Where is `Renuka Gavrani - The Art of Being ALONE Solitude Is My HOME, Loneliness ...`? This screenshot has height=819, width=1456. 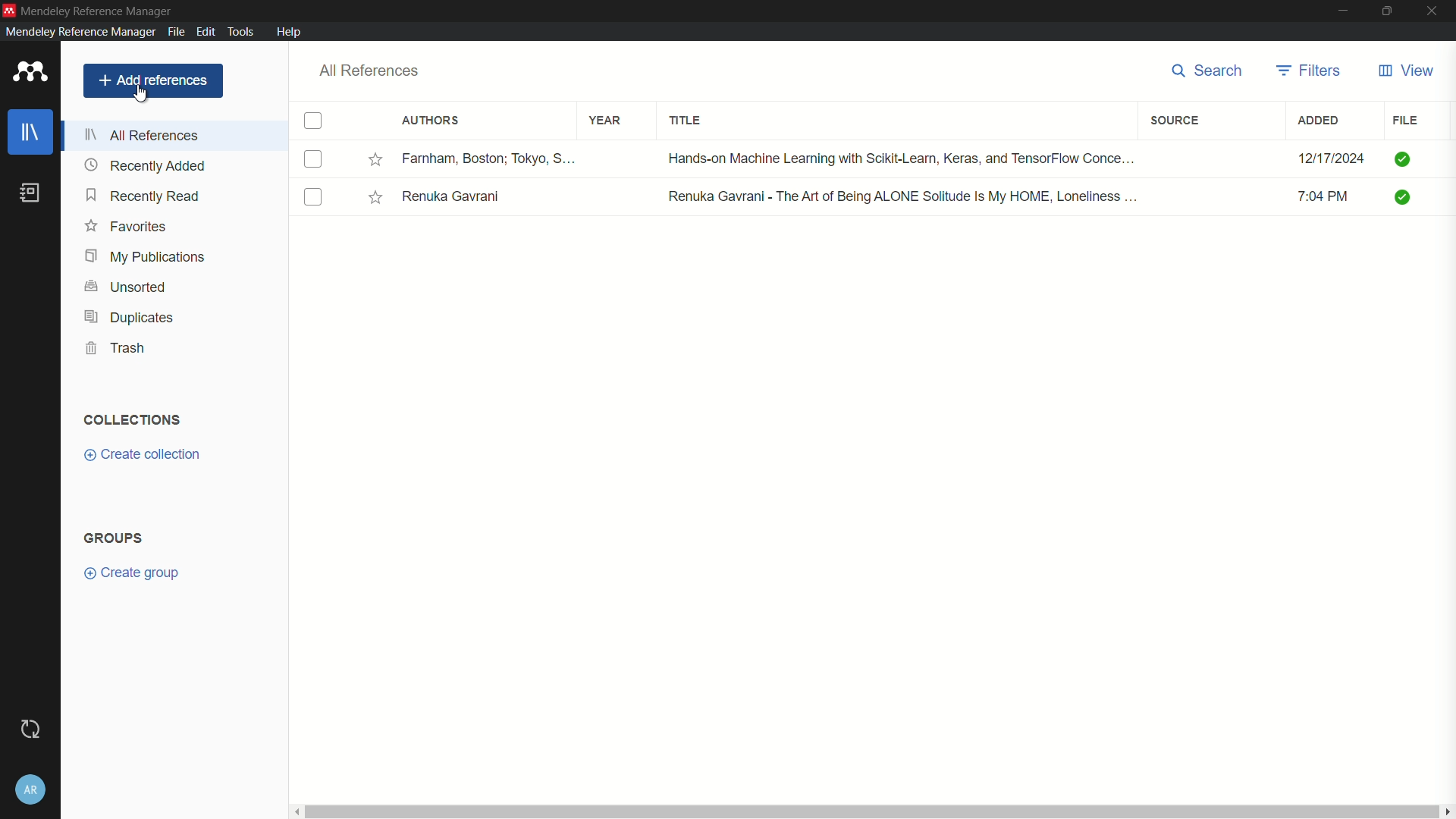
Renuka Gavrani - The Art of Being ALONE Solitude Is My HOME, Loneliness ... is located at coordinates (903, 196).